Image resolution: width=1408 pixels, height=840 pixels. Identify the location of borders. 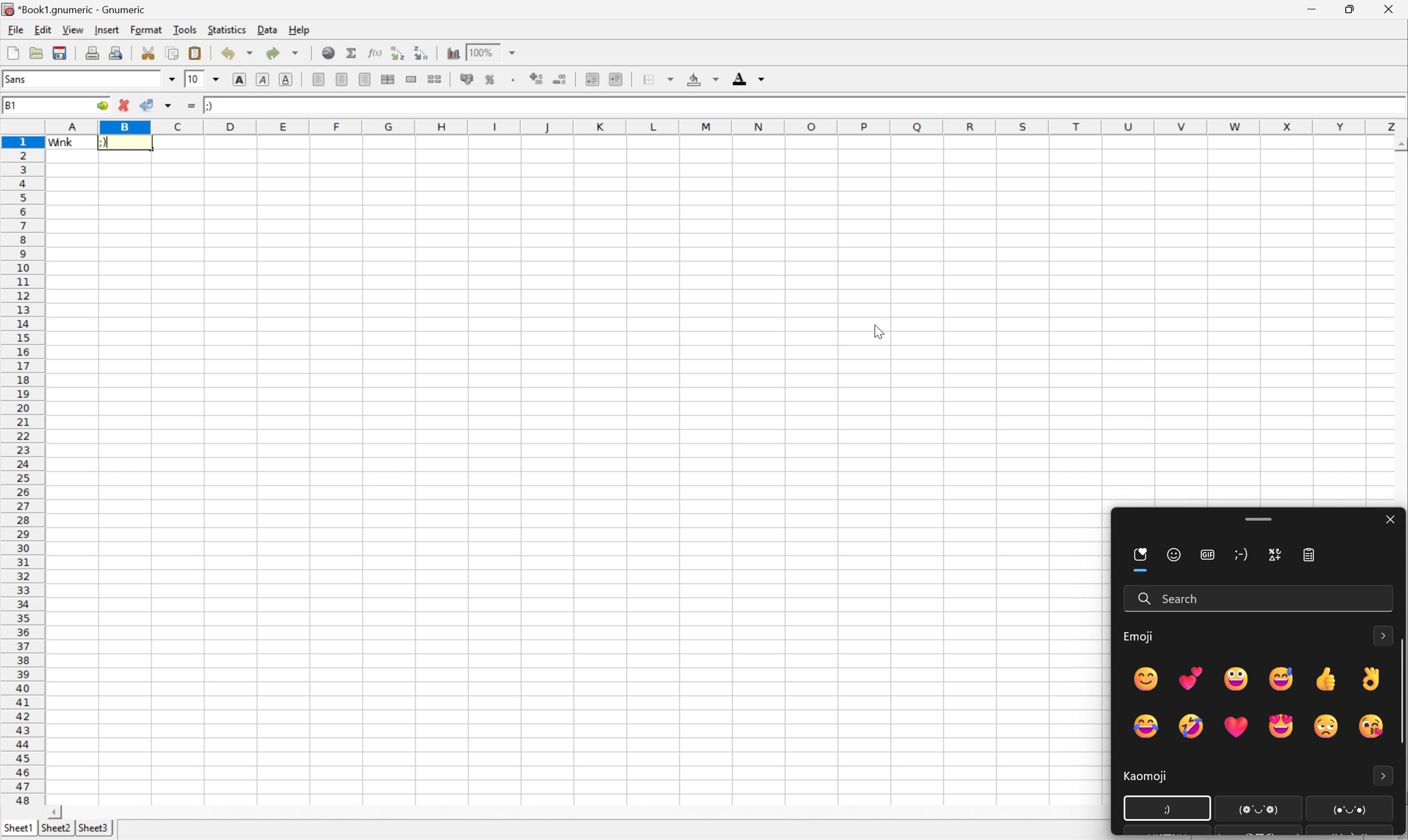
(657, 79).